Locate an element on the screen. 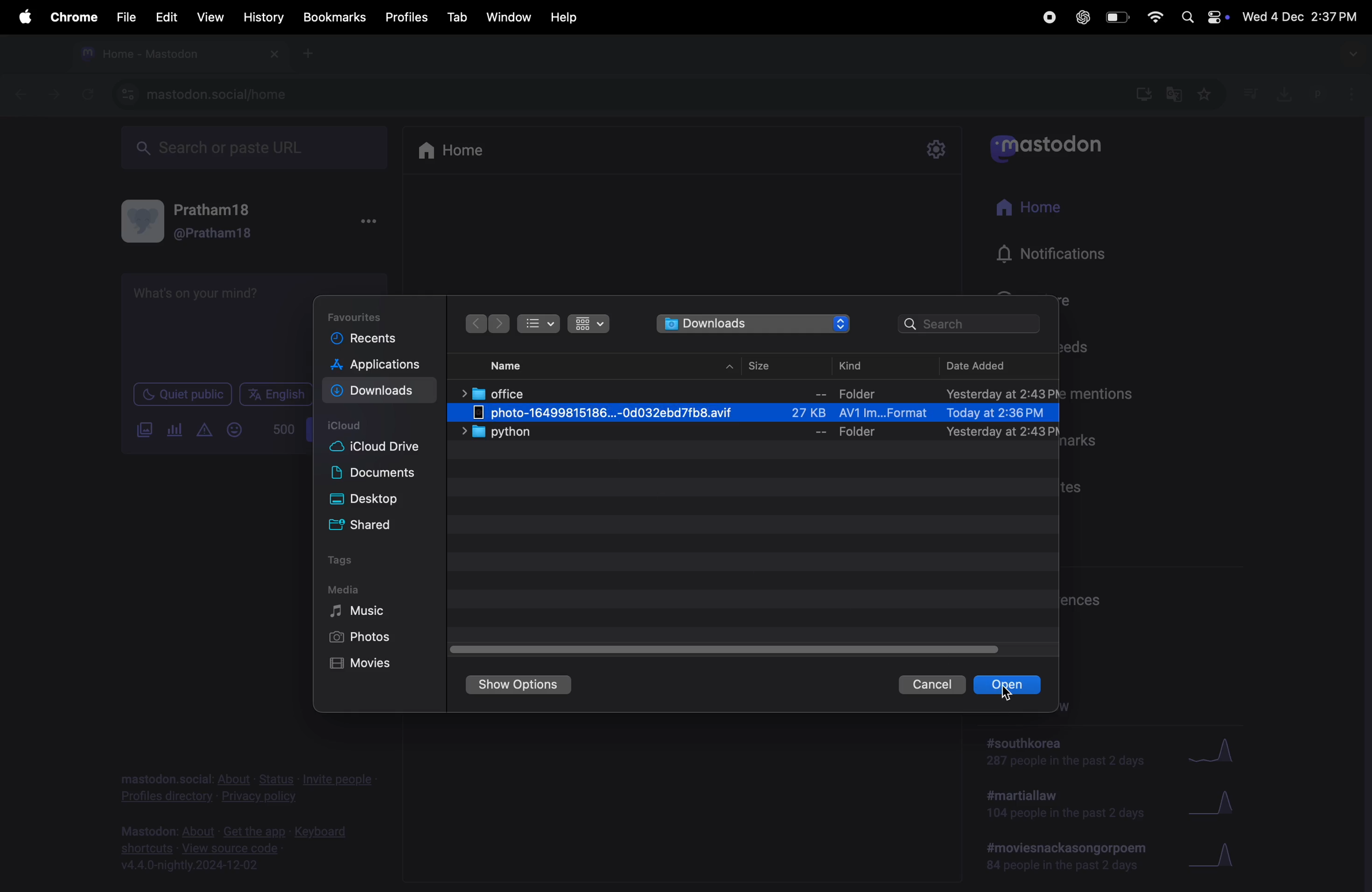 The width and height of the screenshot is (1372, 892). Profiles is located at coordinates (408, 14).